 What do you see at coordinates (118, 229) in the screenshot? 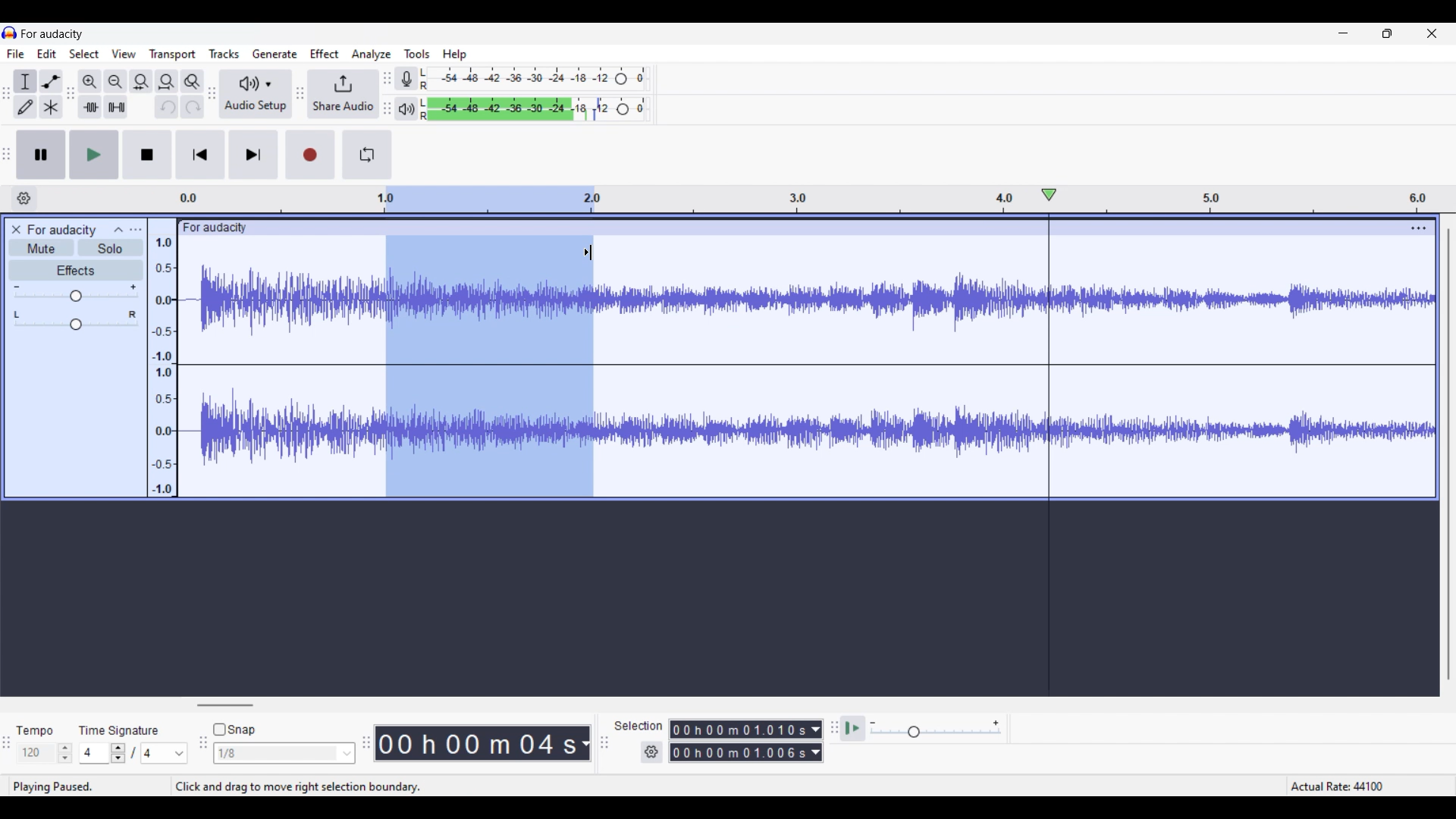
I see `Collapse` at bounding box center [118, 229].